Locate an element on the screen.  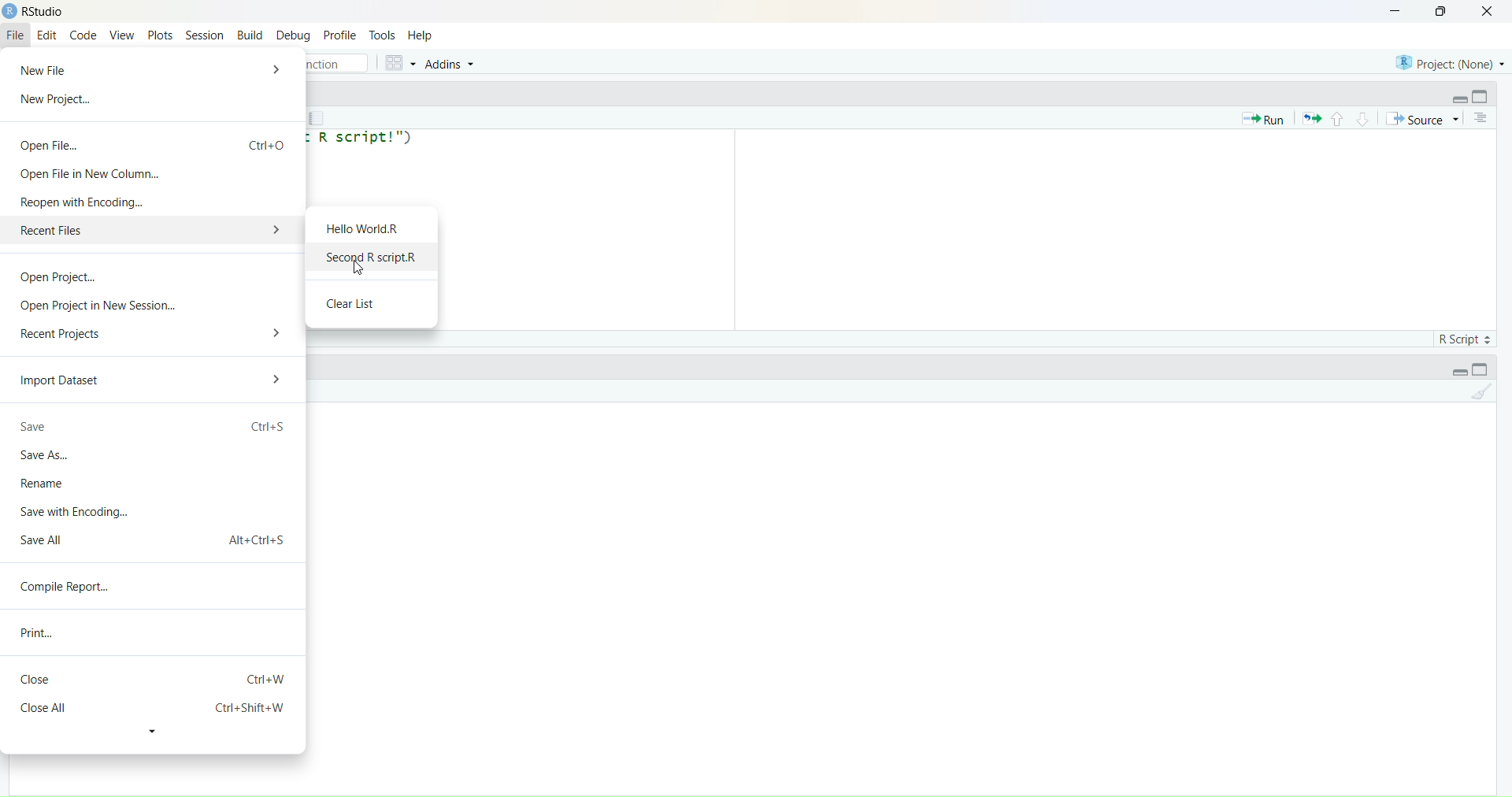
R Script is located at coordinates (1462, 337).